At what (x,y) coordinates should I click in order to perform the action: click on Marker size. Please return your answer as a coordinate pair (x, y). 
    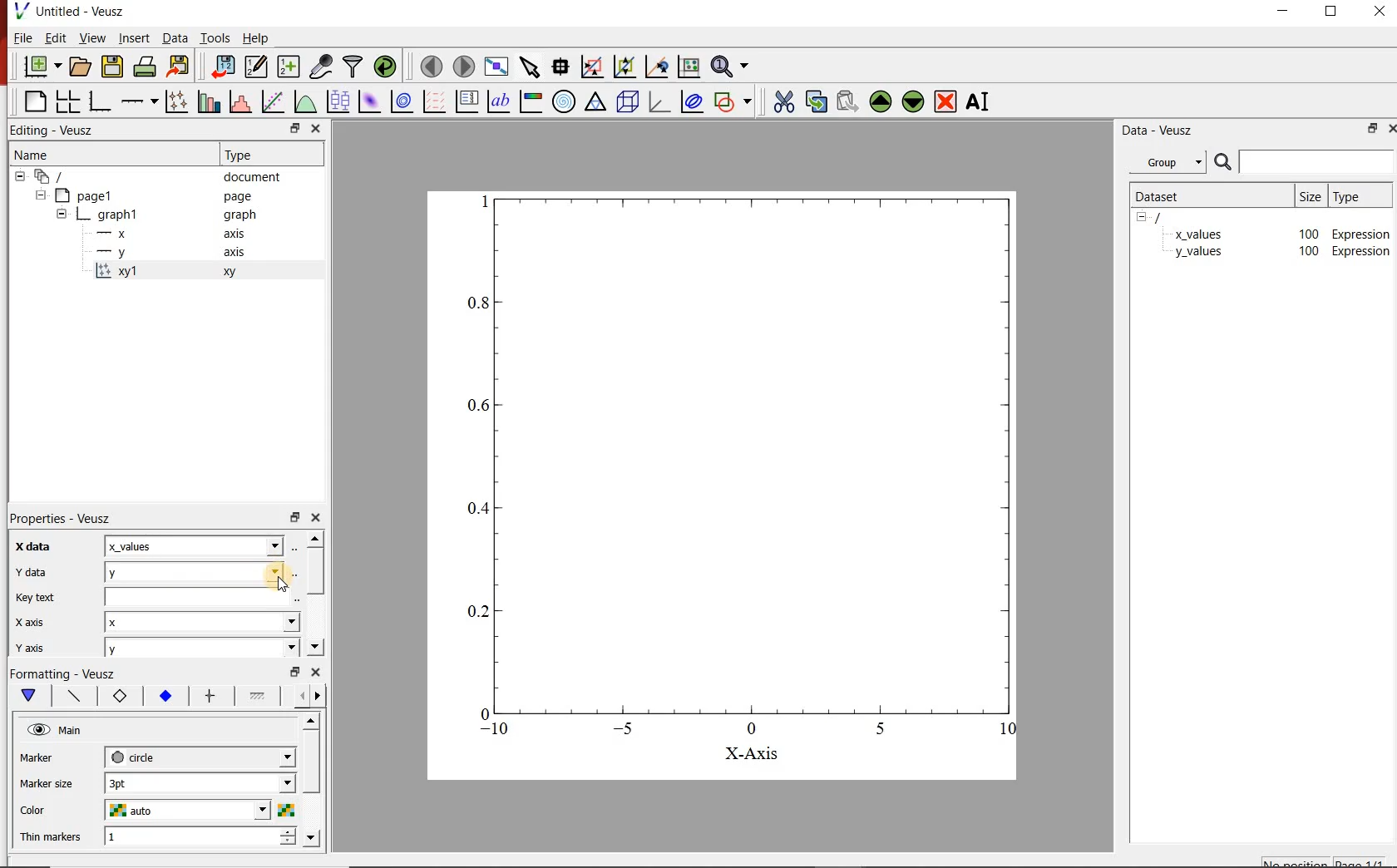
    Looking at the image, I should click on (45, 785).